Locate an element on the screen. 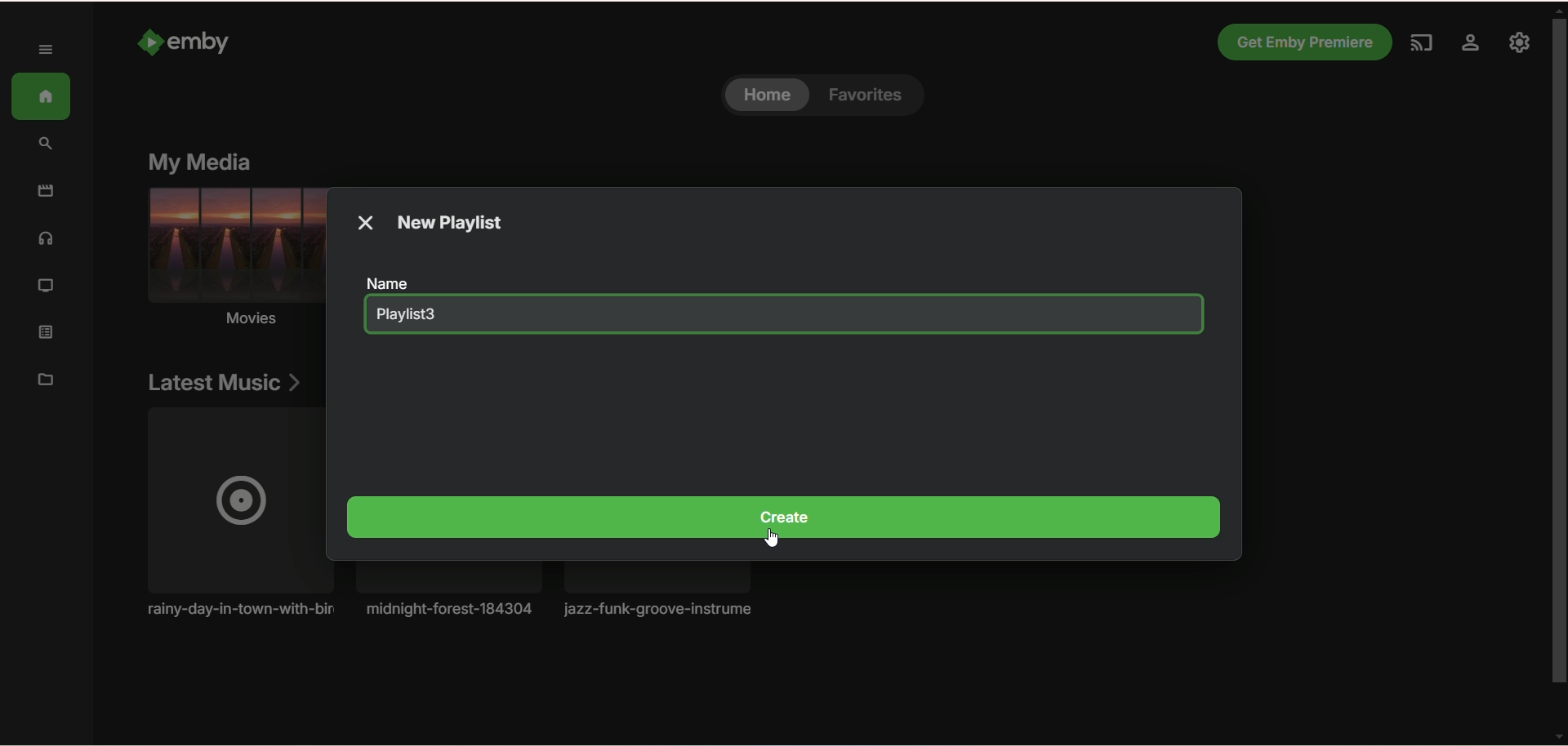  music is located at coordinates (47, 242).